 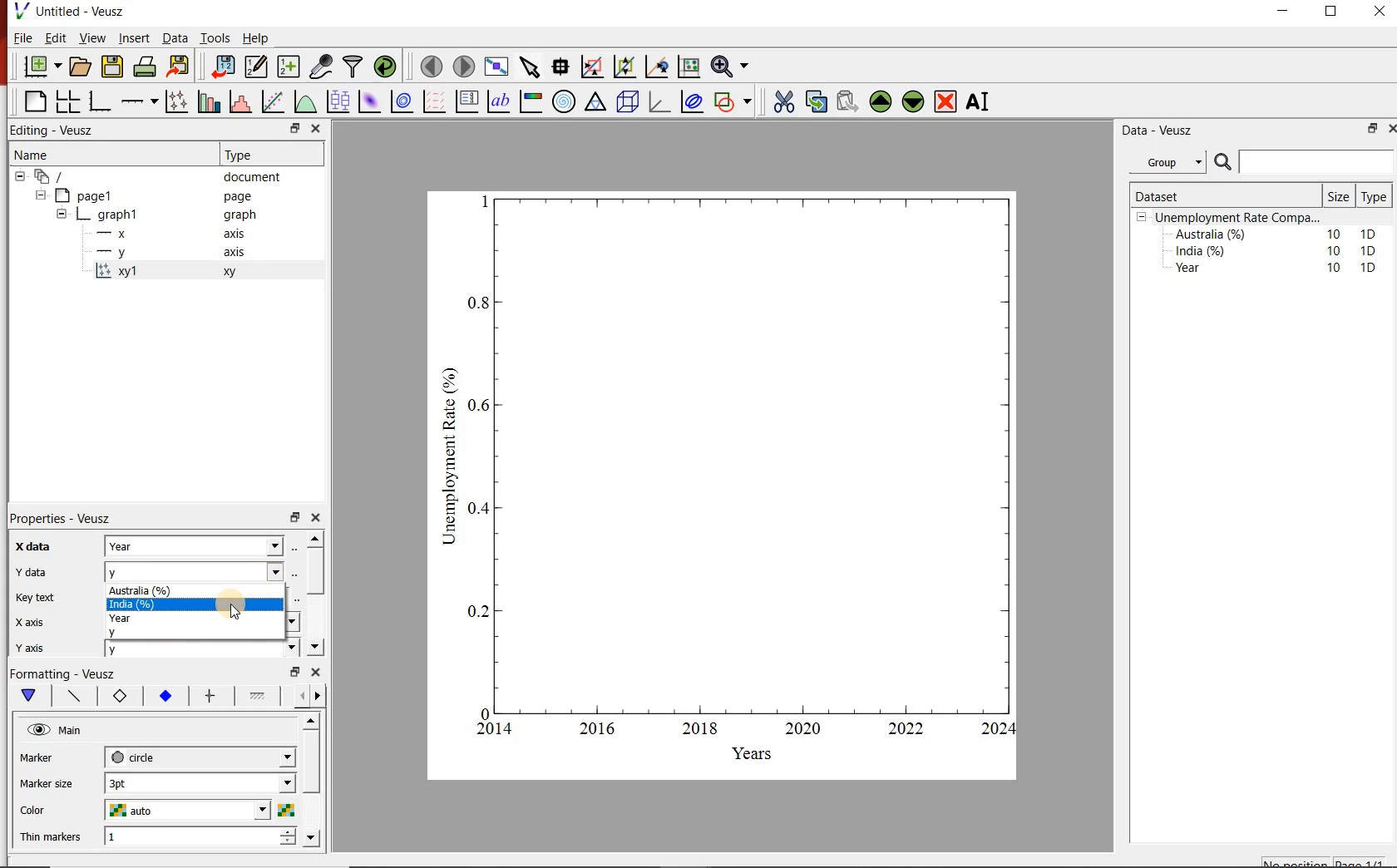 I want to click on cut the widgets, so click(x=784, y=101).